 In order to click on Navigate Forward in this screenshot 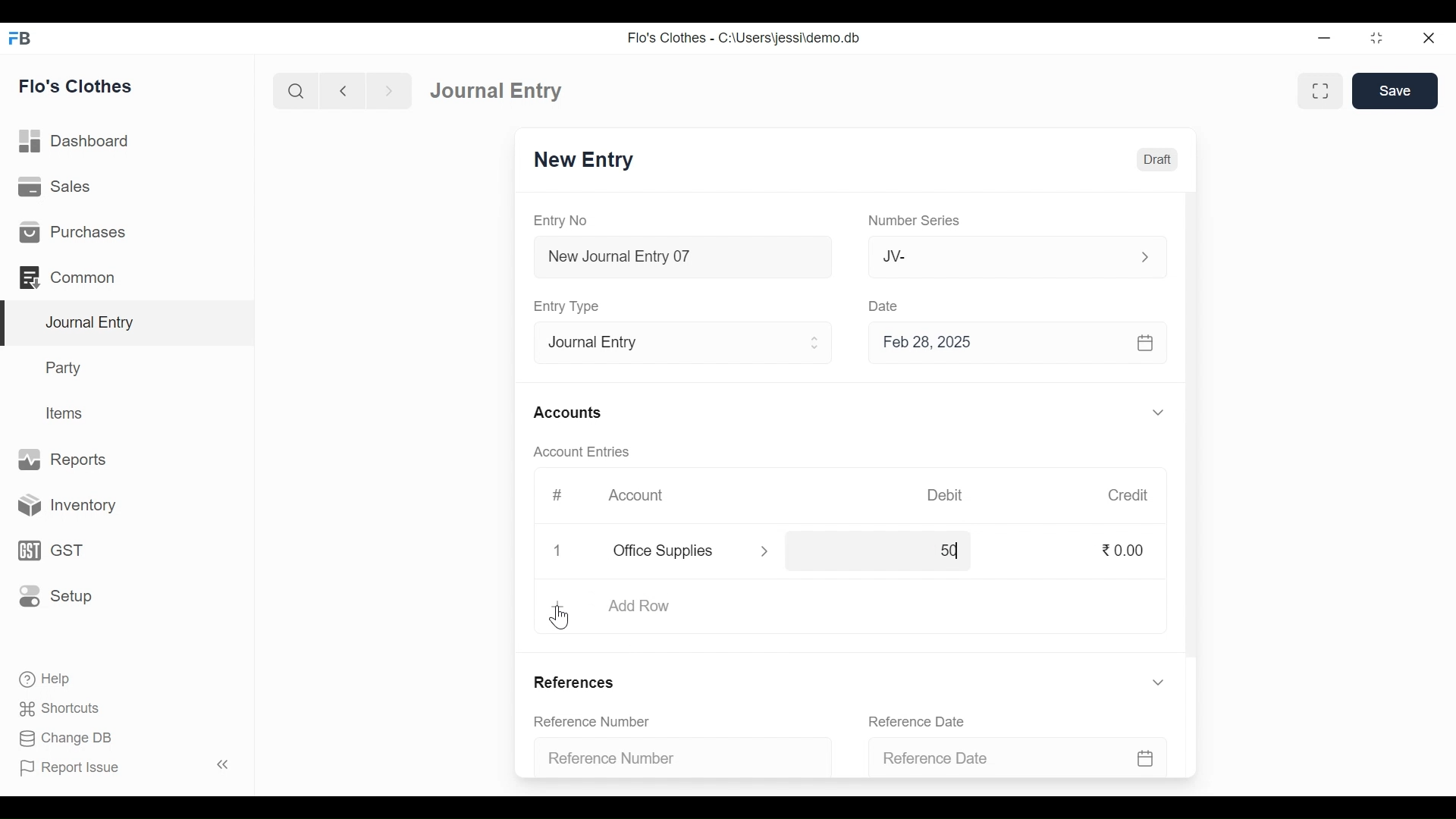, I will do `click(389, 91)`.